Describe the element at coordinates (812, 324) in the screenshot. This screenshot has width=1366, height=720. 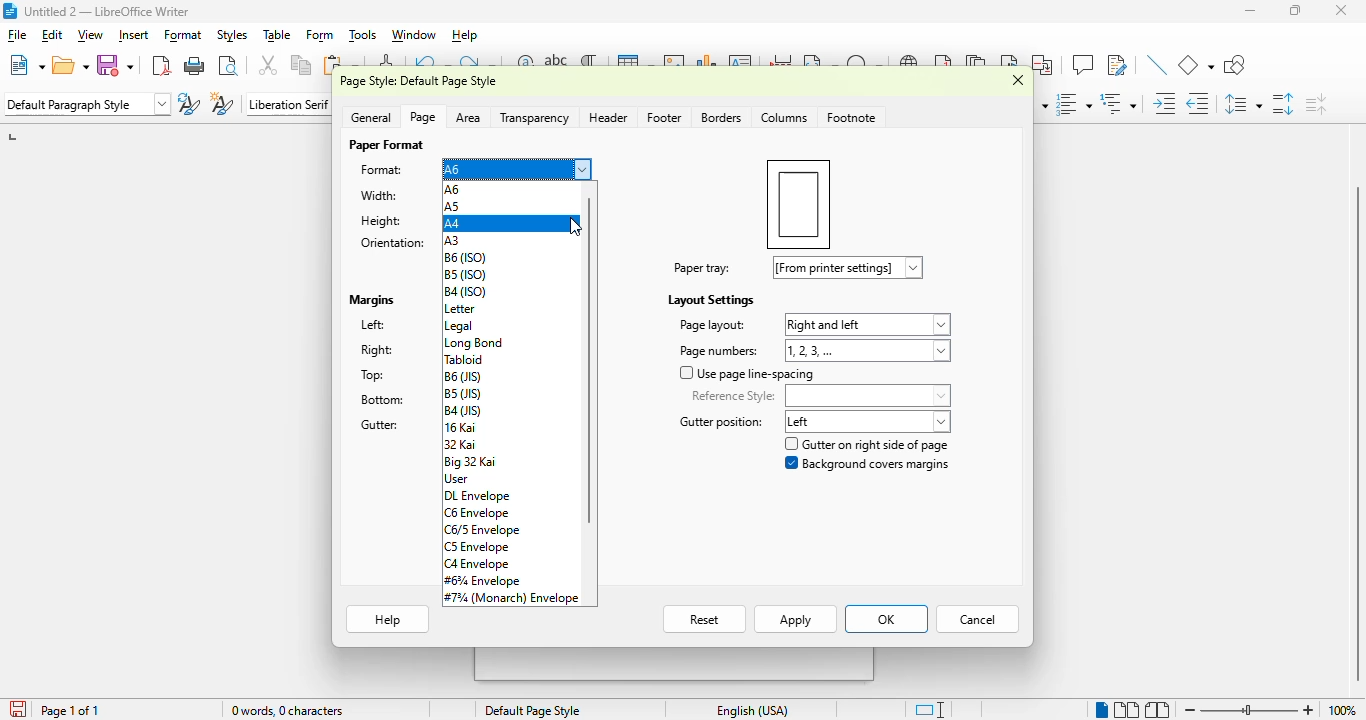
I see `page layout: right and left` at that location.